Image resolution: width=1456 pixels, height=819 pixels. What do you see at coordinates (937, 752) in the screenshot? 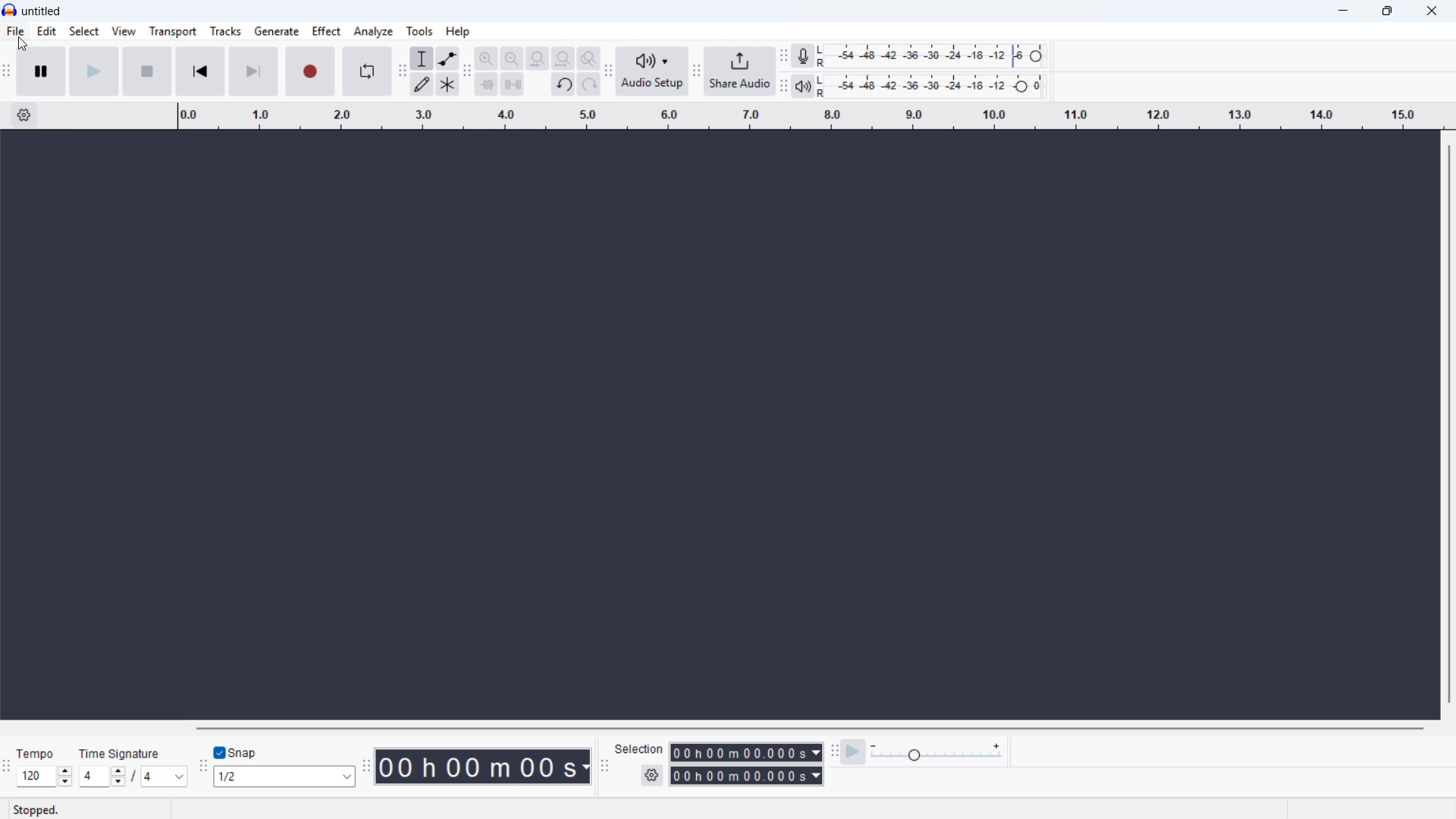
I see `` at bounding box center [937, 752].